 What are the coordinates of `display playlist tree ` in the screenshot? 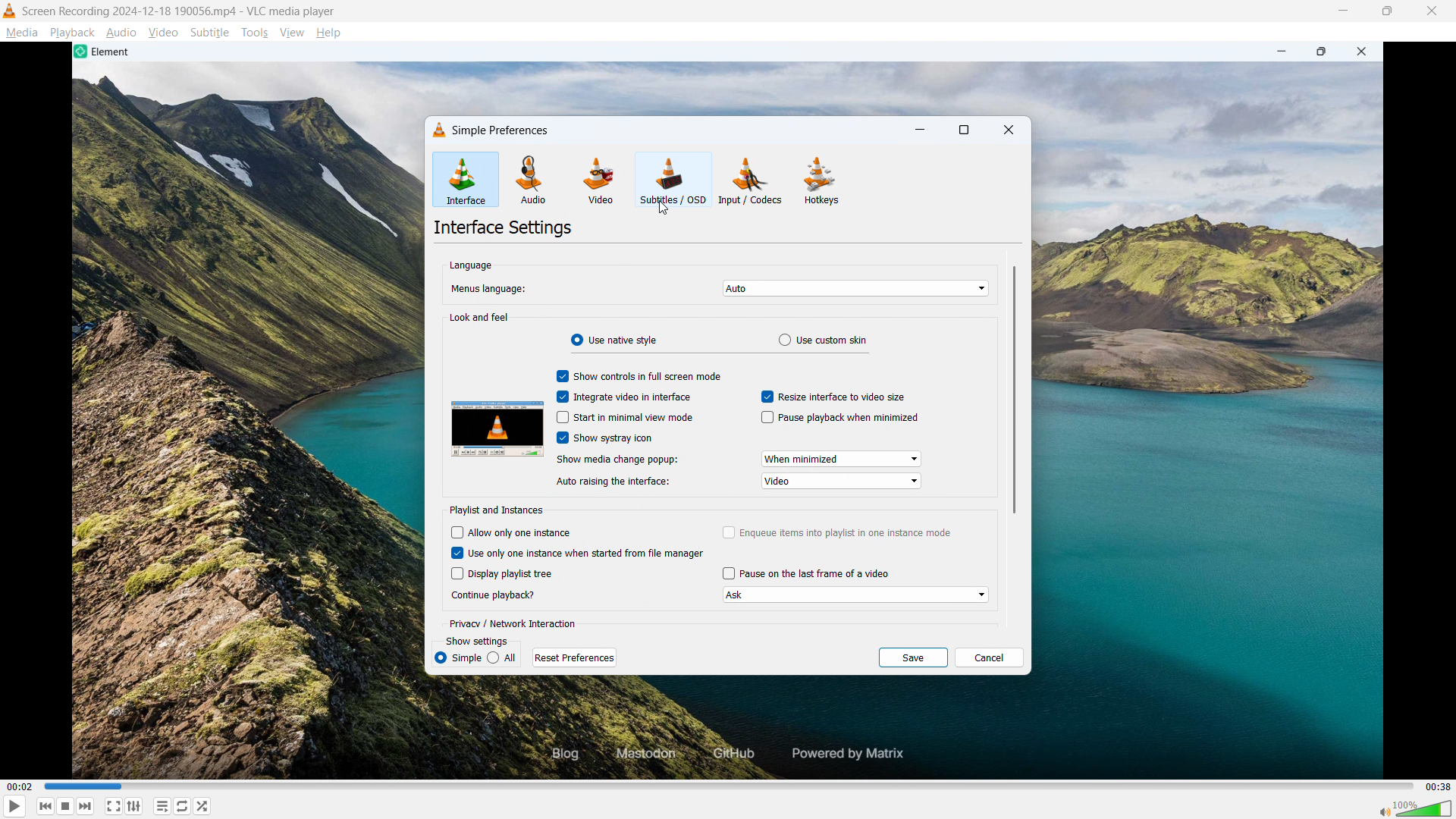 It's located at (513, 574).